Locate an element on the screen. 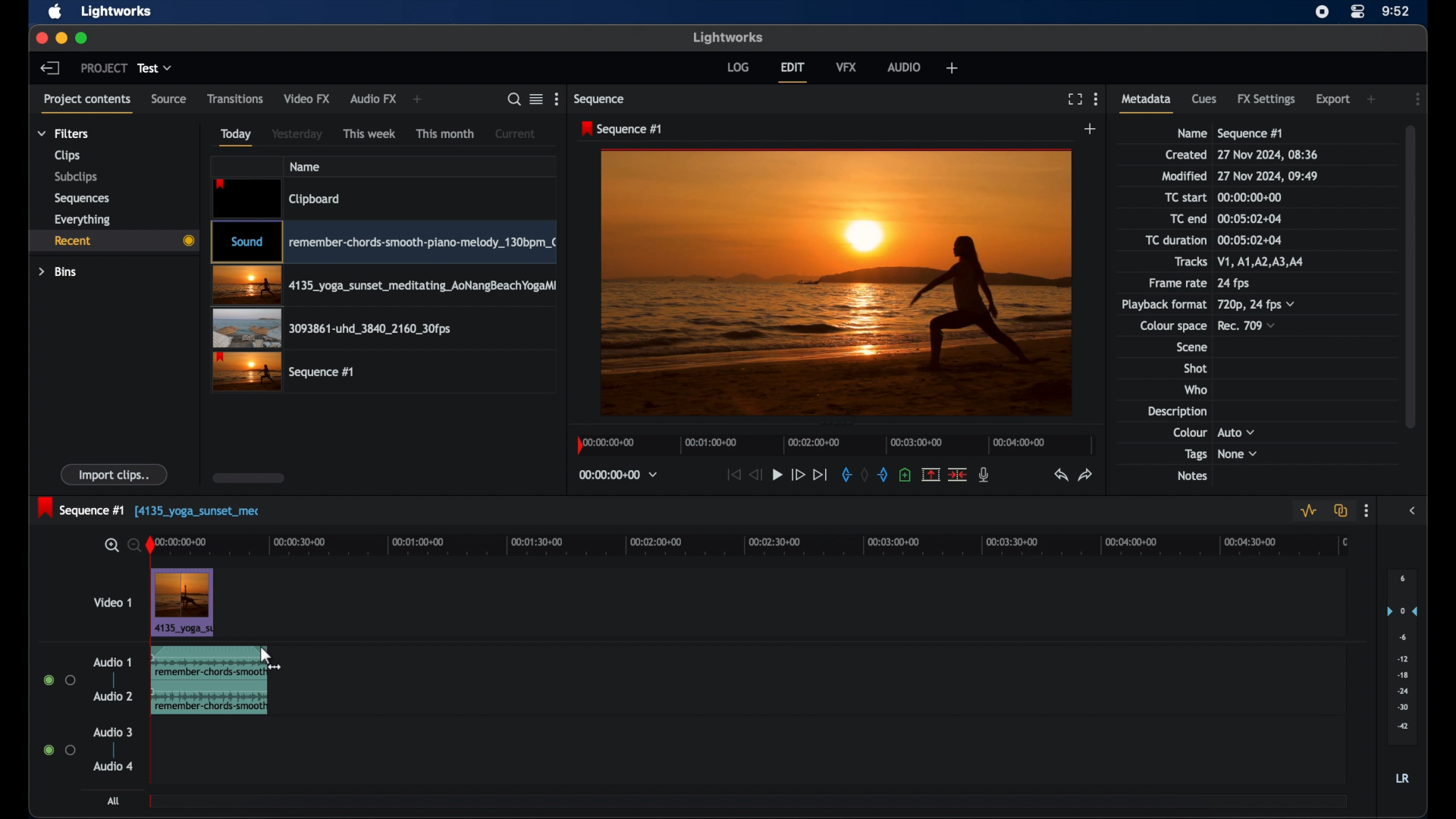  video clip is located at coordinates (278, 198).